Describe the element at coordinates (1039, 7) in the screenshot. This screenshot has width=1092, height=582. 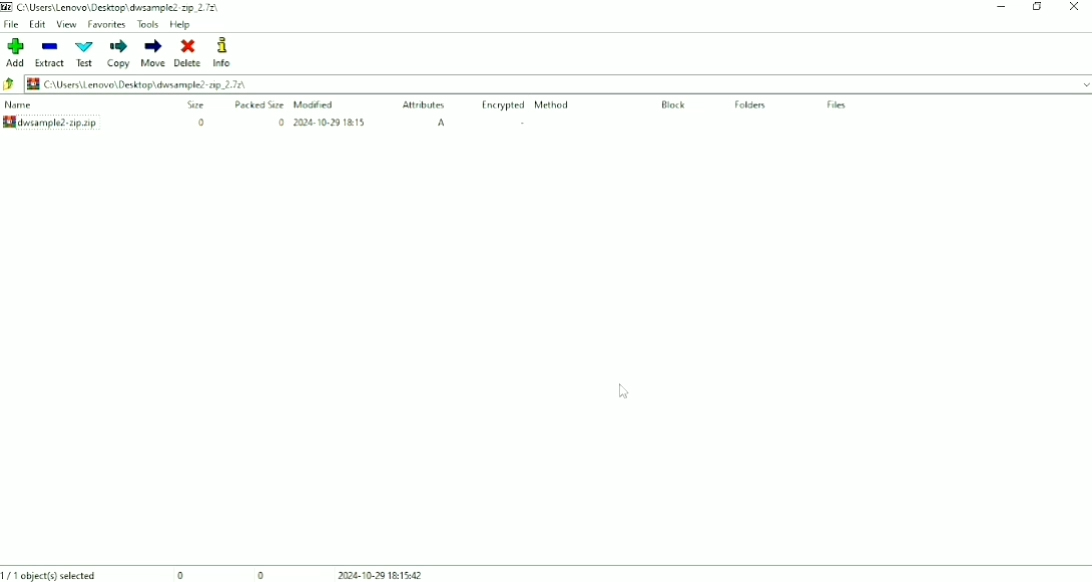
I see `Restore Down` at that location.